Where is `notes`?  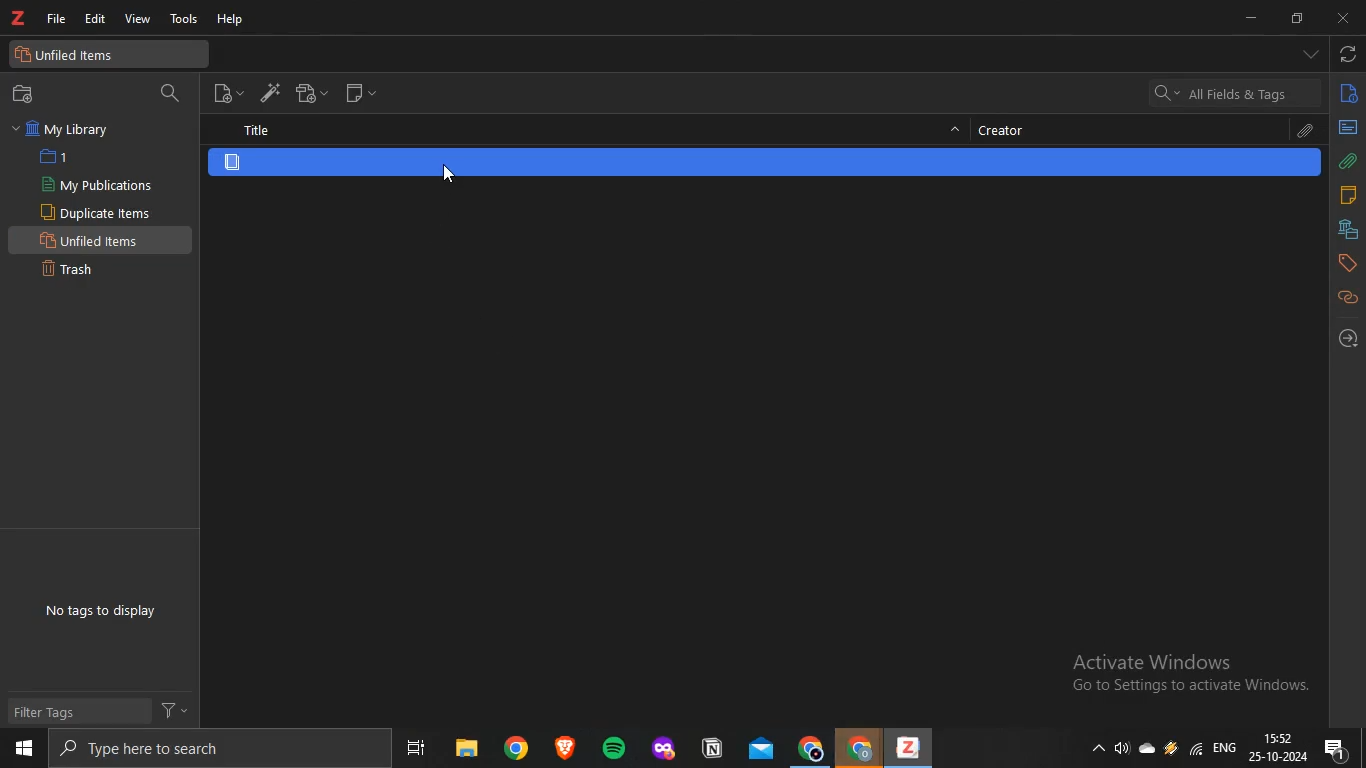 notes is located at coordinates (1348, 195).